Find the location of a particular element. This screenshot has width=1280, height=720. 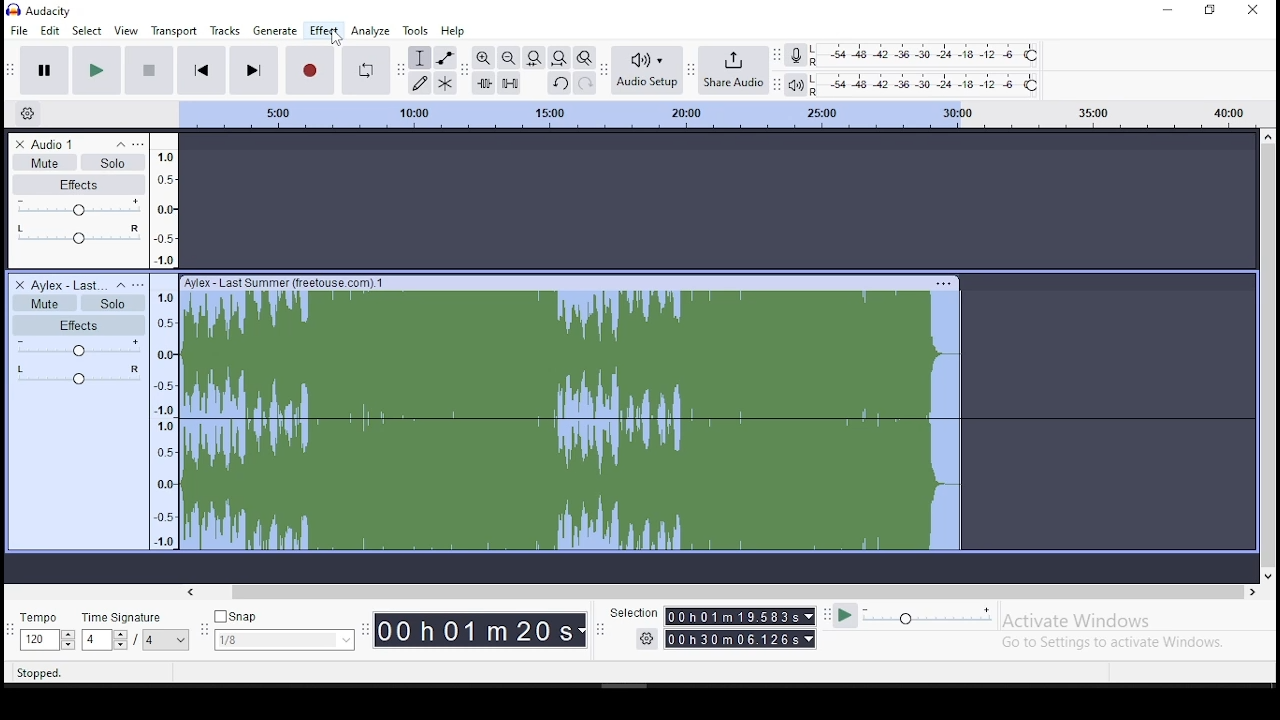

undo is located at coordinates (559, 83).